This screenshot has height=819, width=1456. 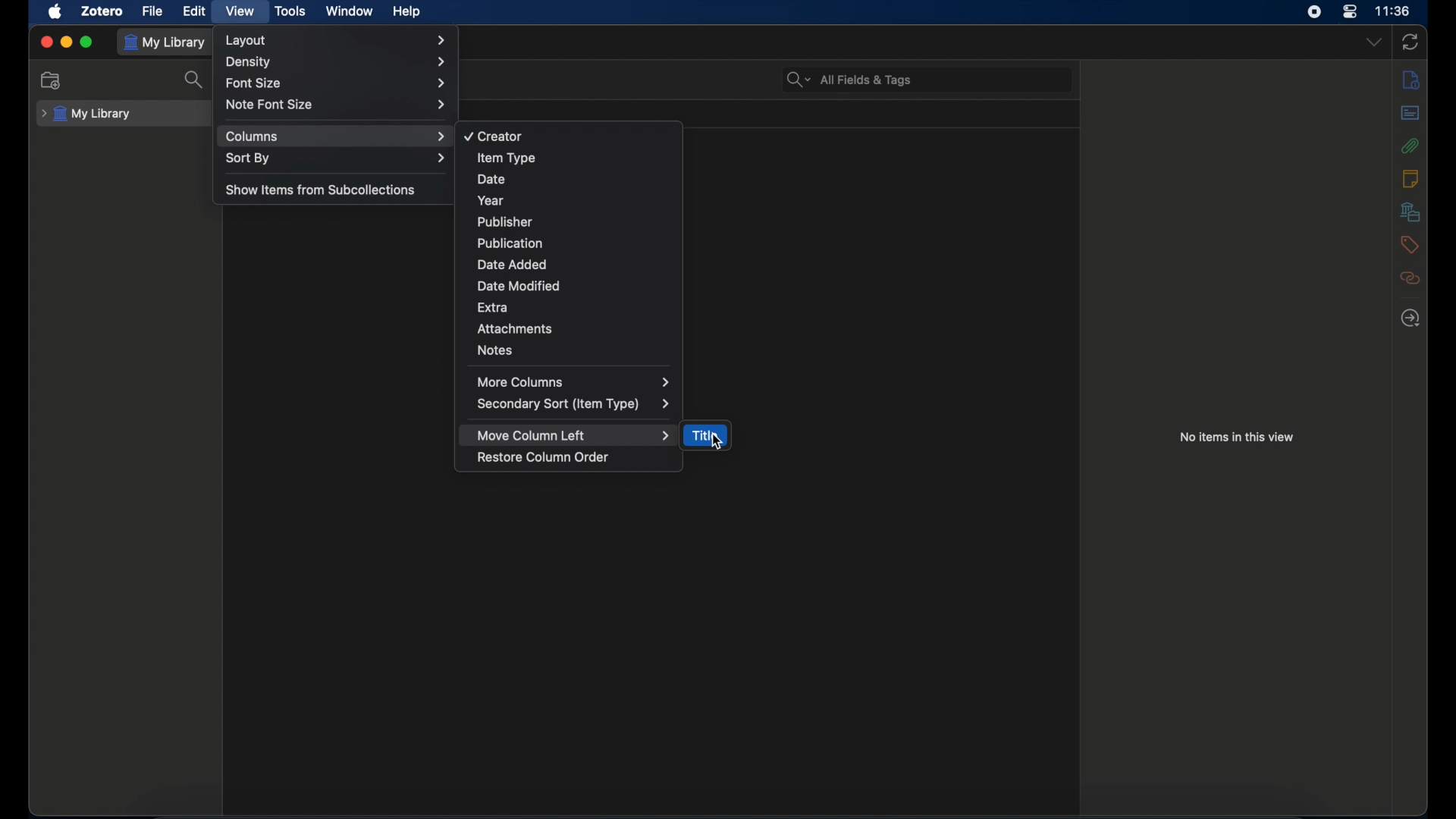 What do you see at coordinates (513, 265) in the screenshot?
I see `date added` at bounding box center [513, 265].